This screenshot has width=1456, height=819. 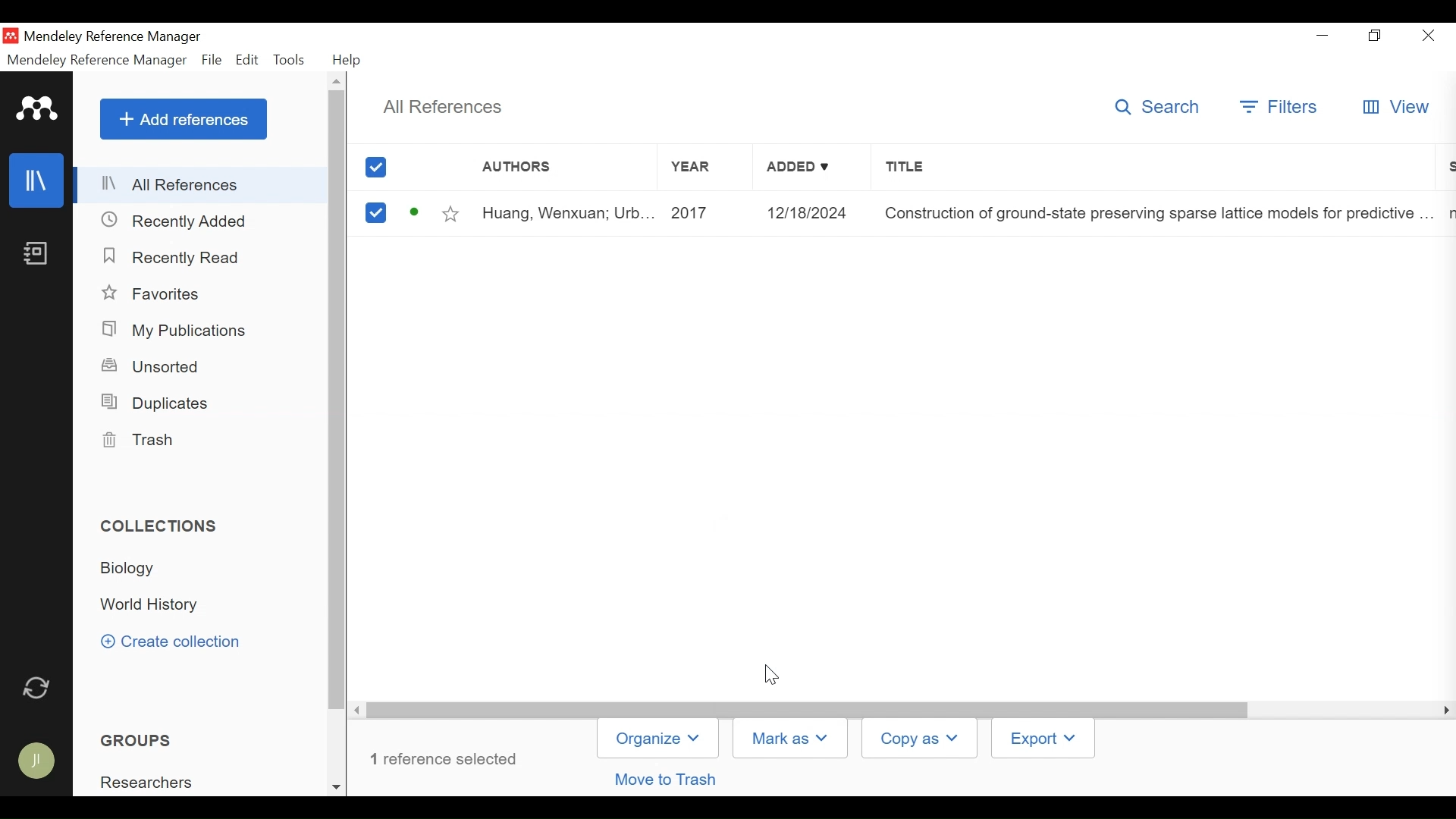 I want to click on Toggle Favorites, so click(x=452, y=215).